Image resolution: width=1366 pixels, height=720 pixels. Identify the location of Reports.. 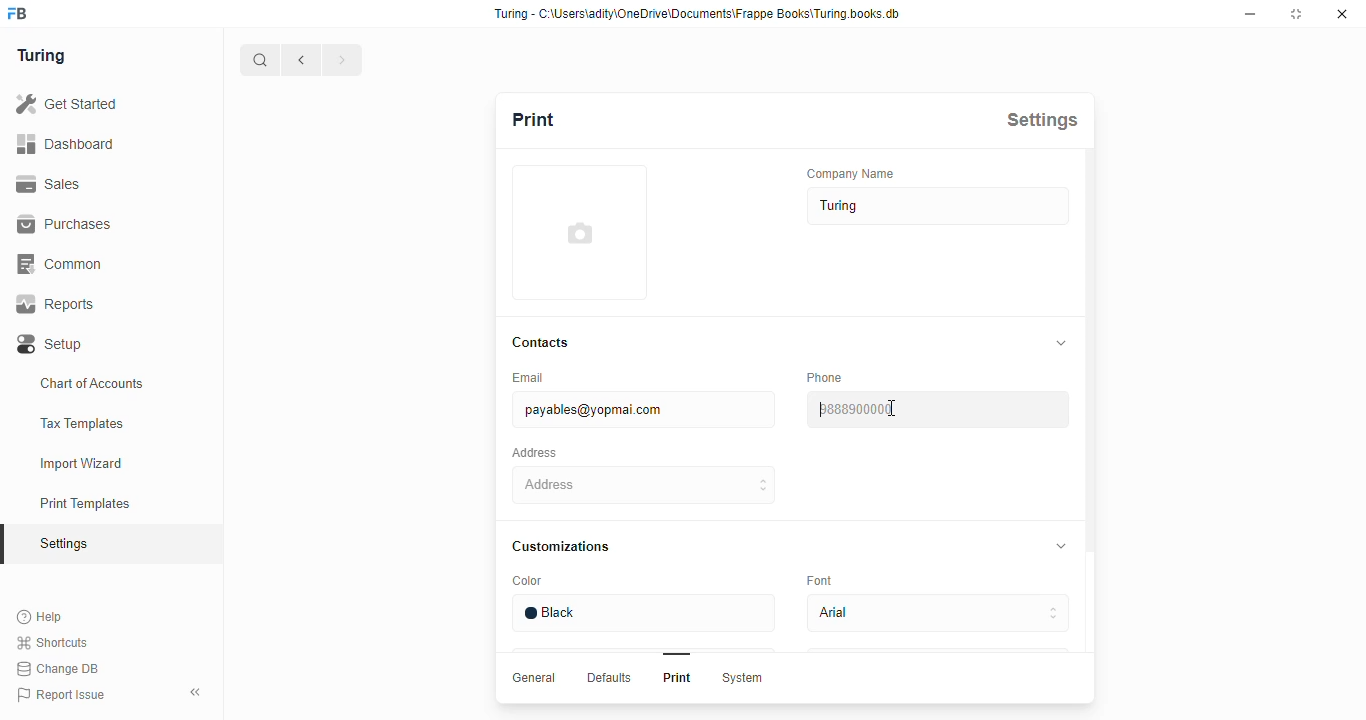
(108, 304).